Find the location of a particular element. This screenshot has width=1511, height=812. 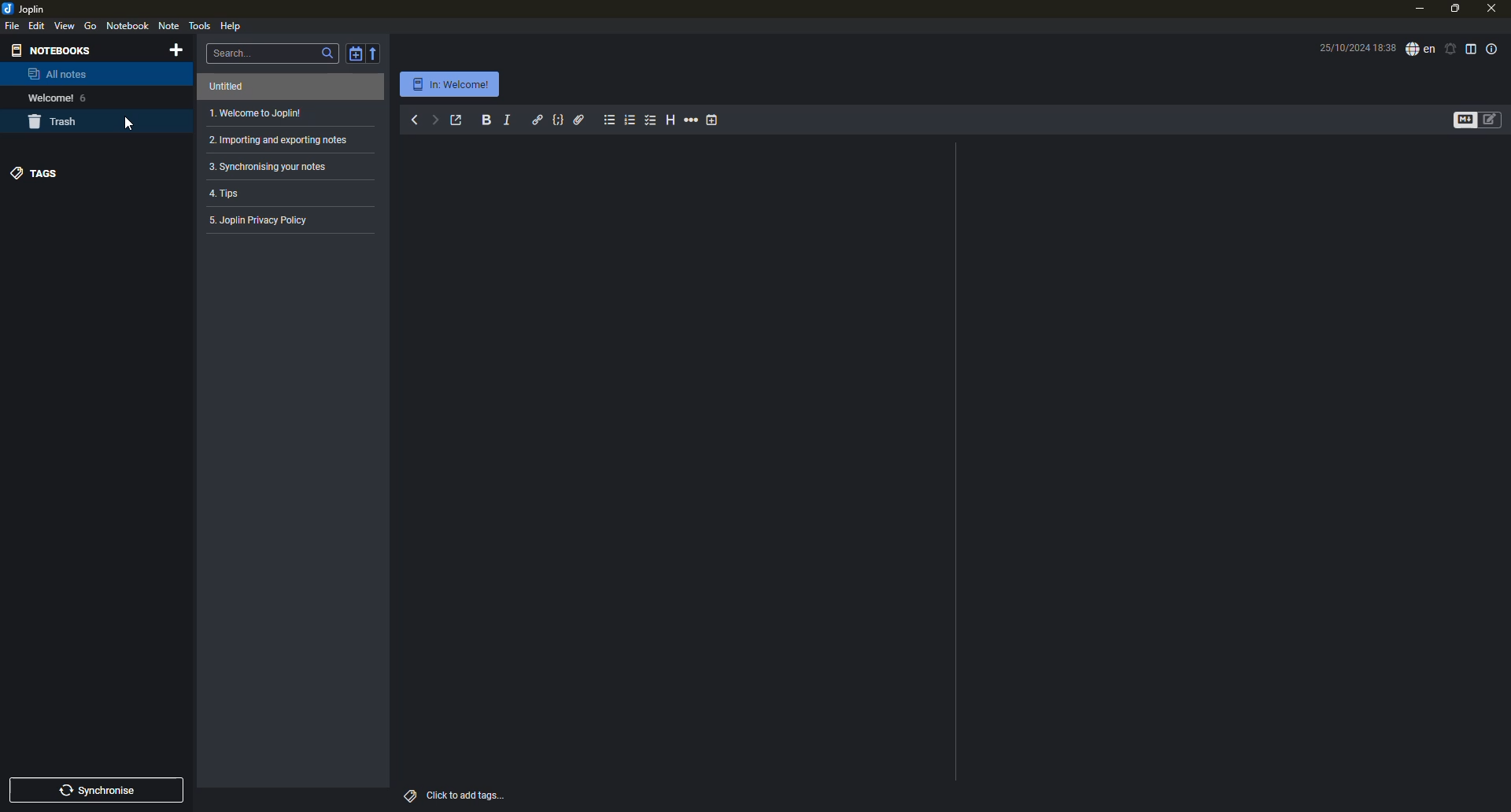

toggle editors is located at coordinates (1458, 120).